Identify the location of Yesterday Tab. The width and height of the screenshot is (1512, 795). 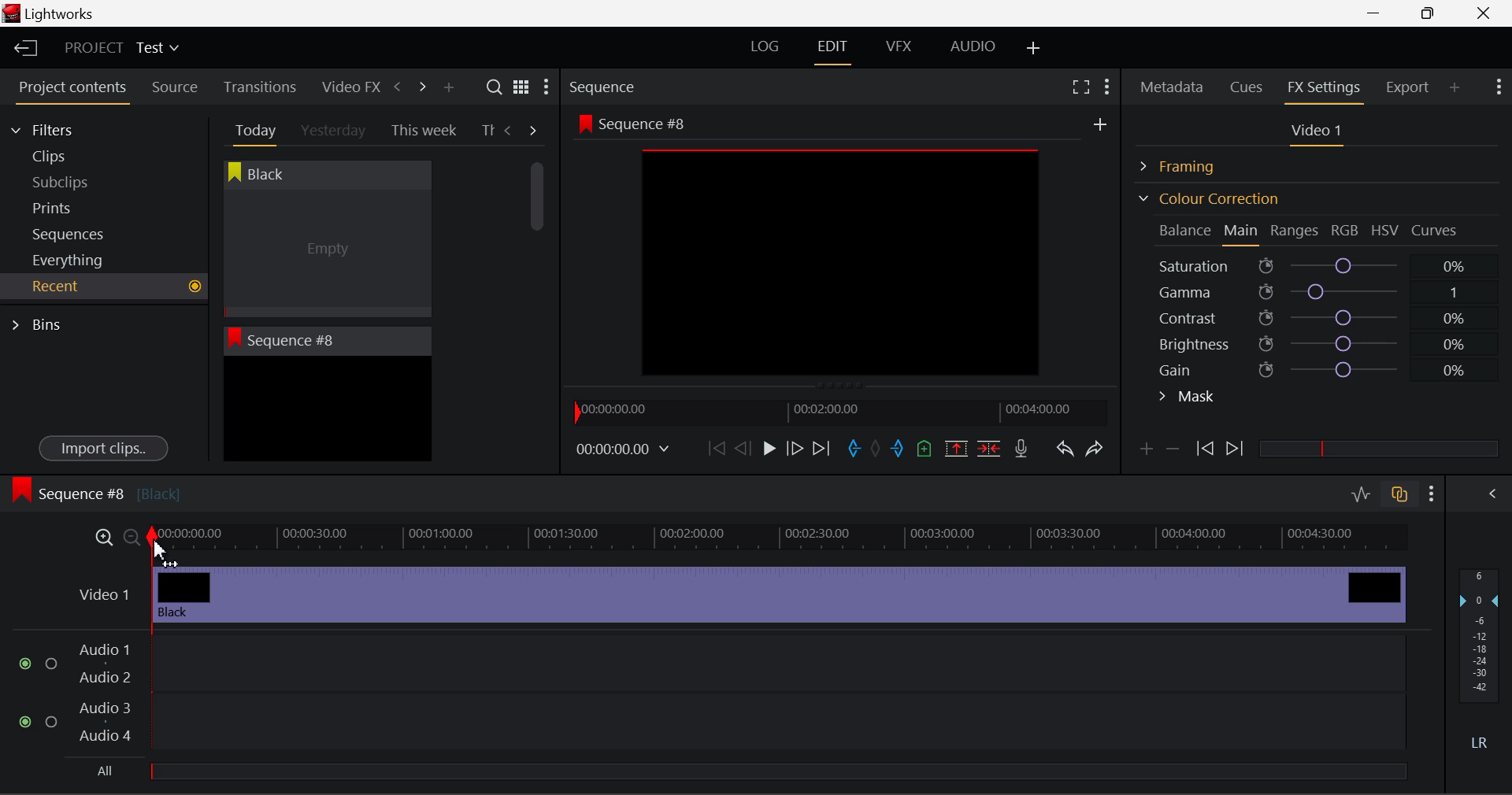
(335, 131).